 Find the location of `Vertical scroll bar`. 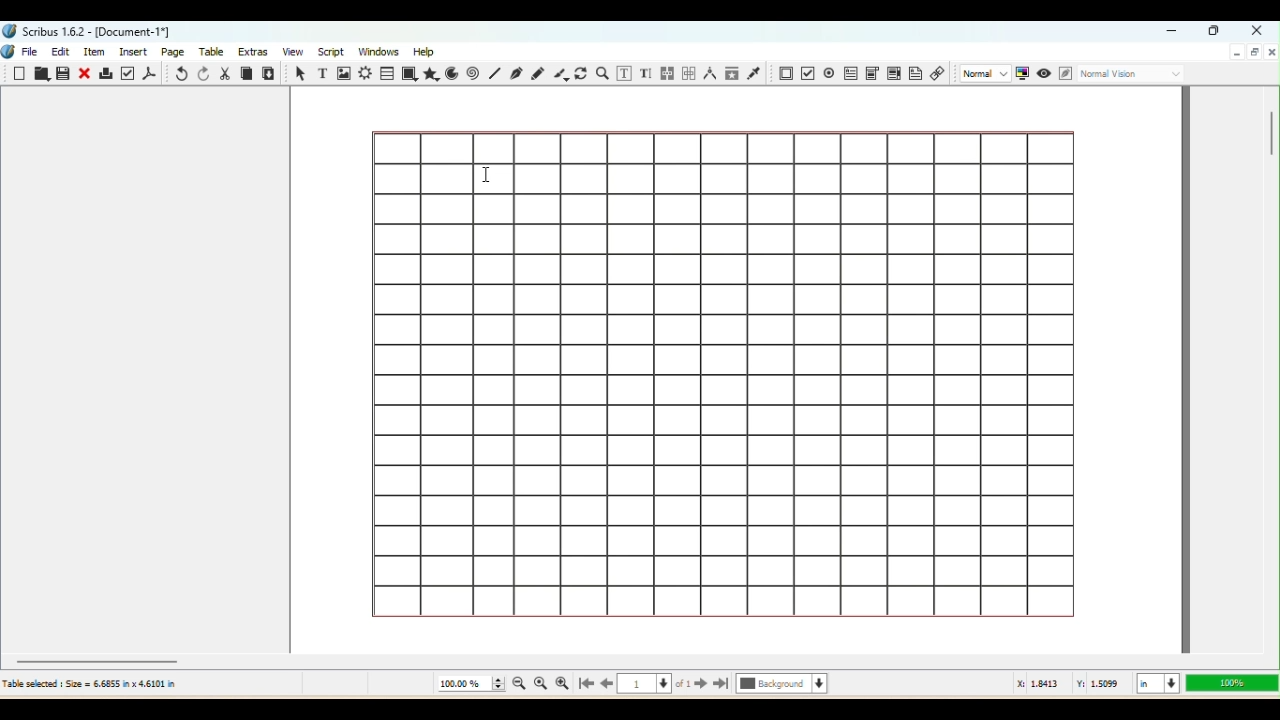

Vertical scroll bar is located at coordinates (1271, 368).